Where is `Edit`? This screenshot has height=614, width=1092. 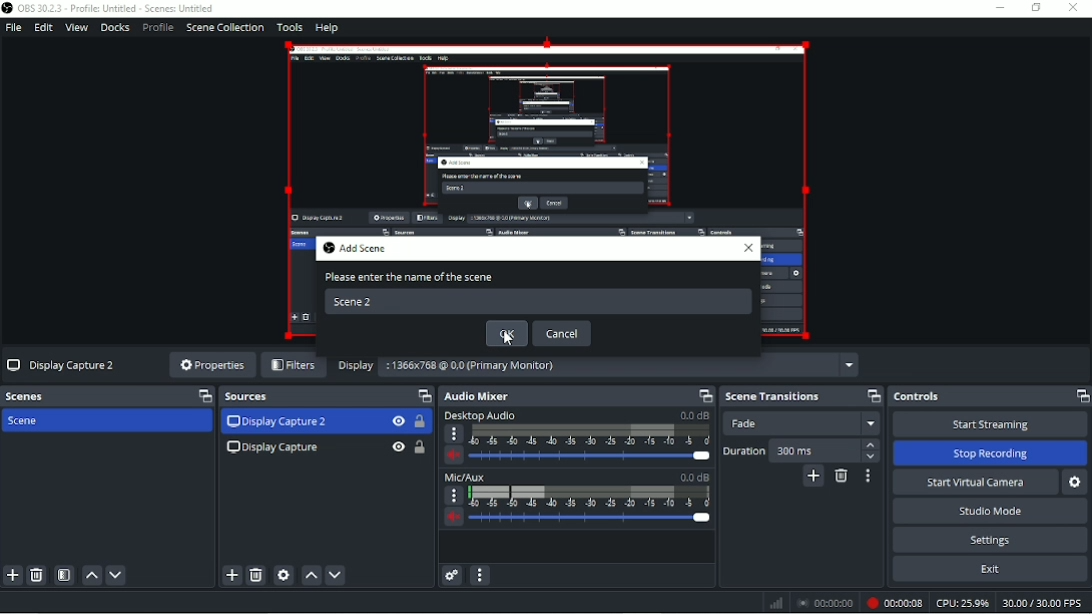
Edit is located at coordinates (44, 28).